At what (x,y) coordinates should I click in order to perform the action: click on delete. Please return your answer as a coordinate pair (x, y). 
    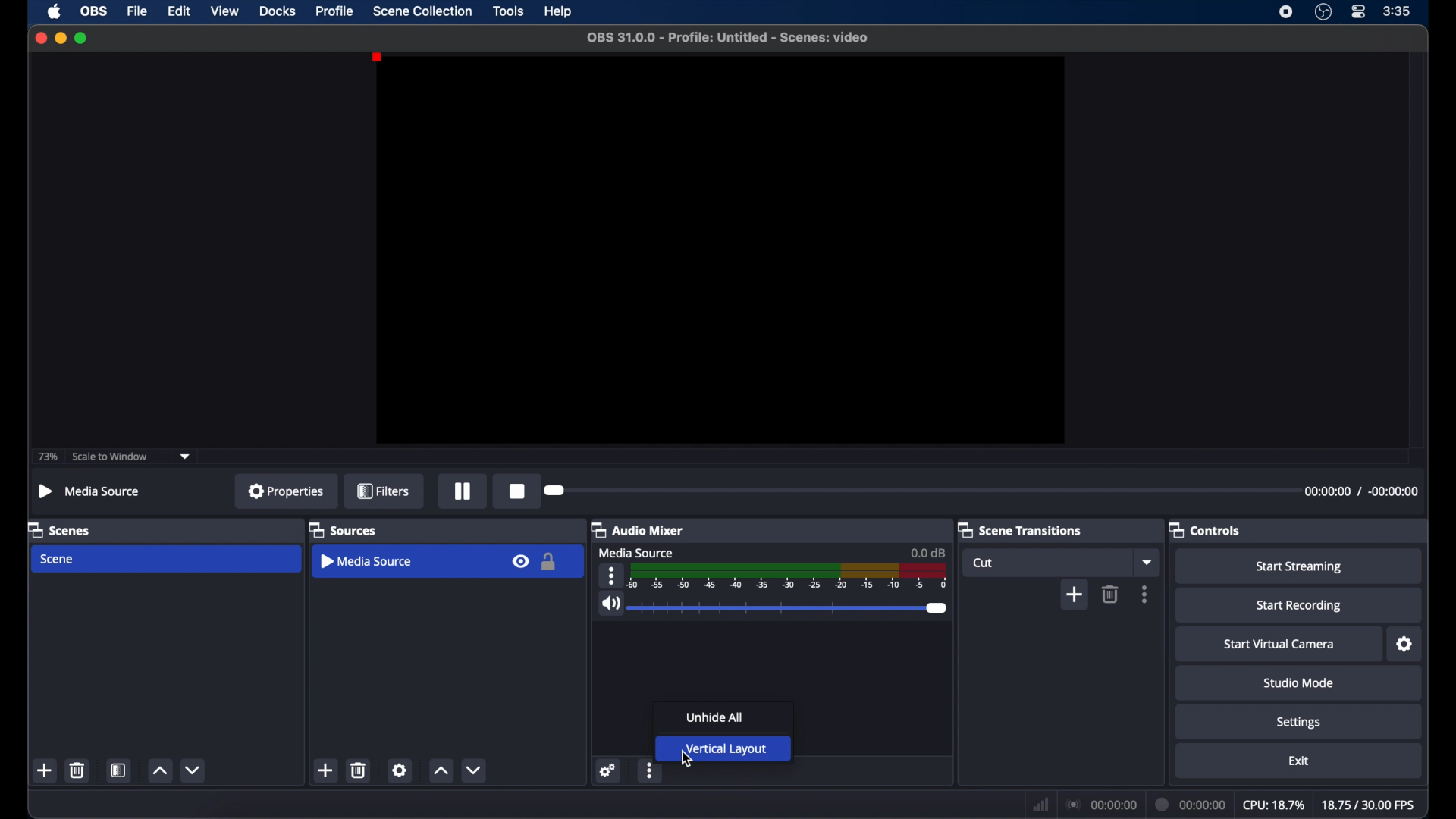
    Looking at the image, I should click on (78, 770).